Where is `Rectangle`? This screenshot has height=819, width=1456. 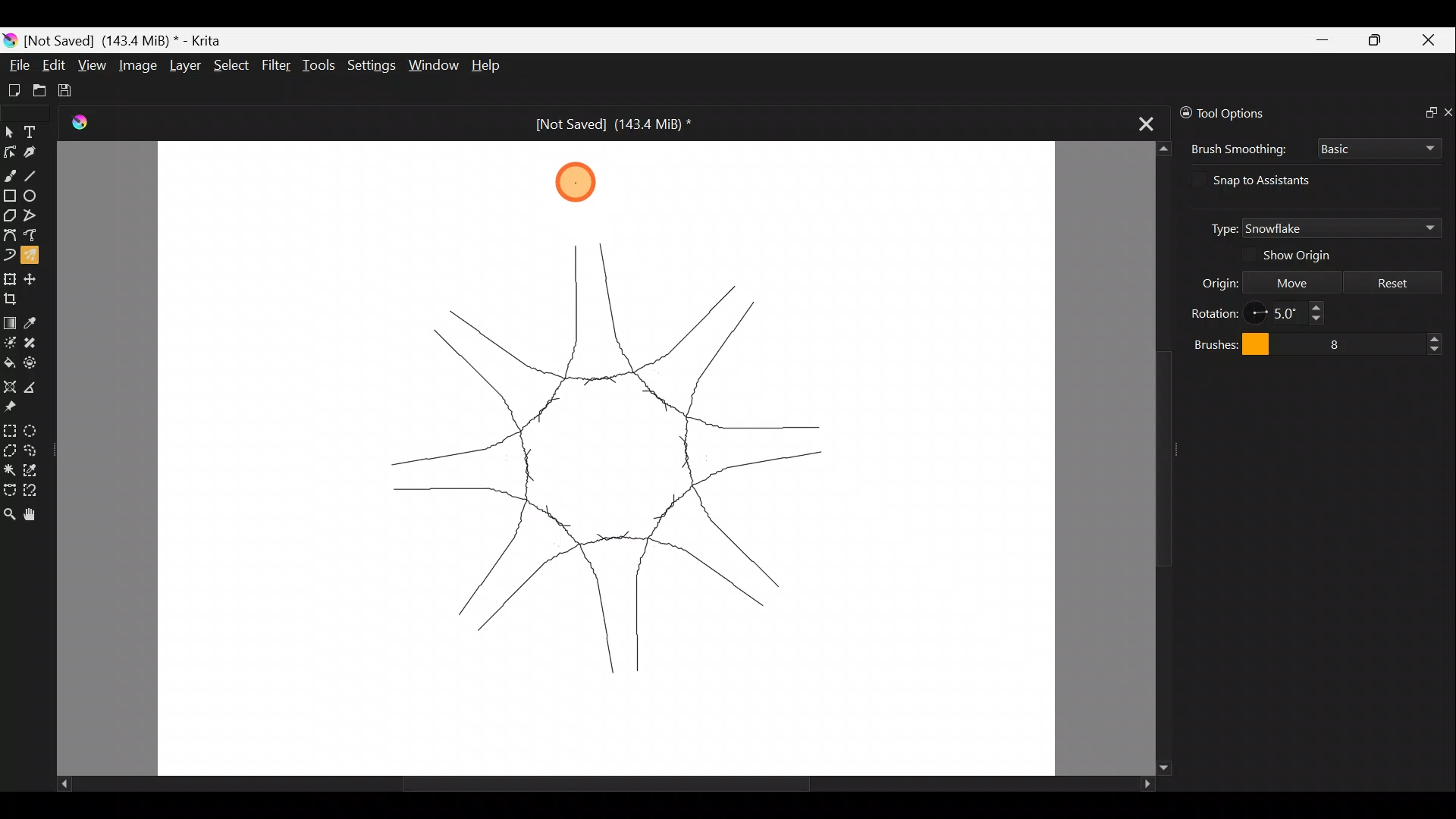
Rectangle is located at coordinates (9, 196).